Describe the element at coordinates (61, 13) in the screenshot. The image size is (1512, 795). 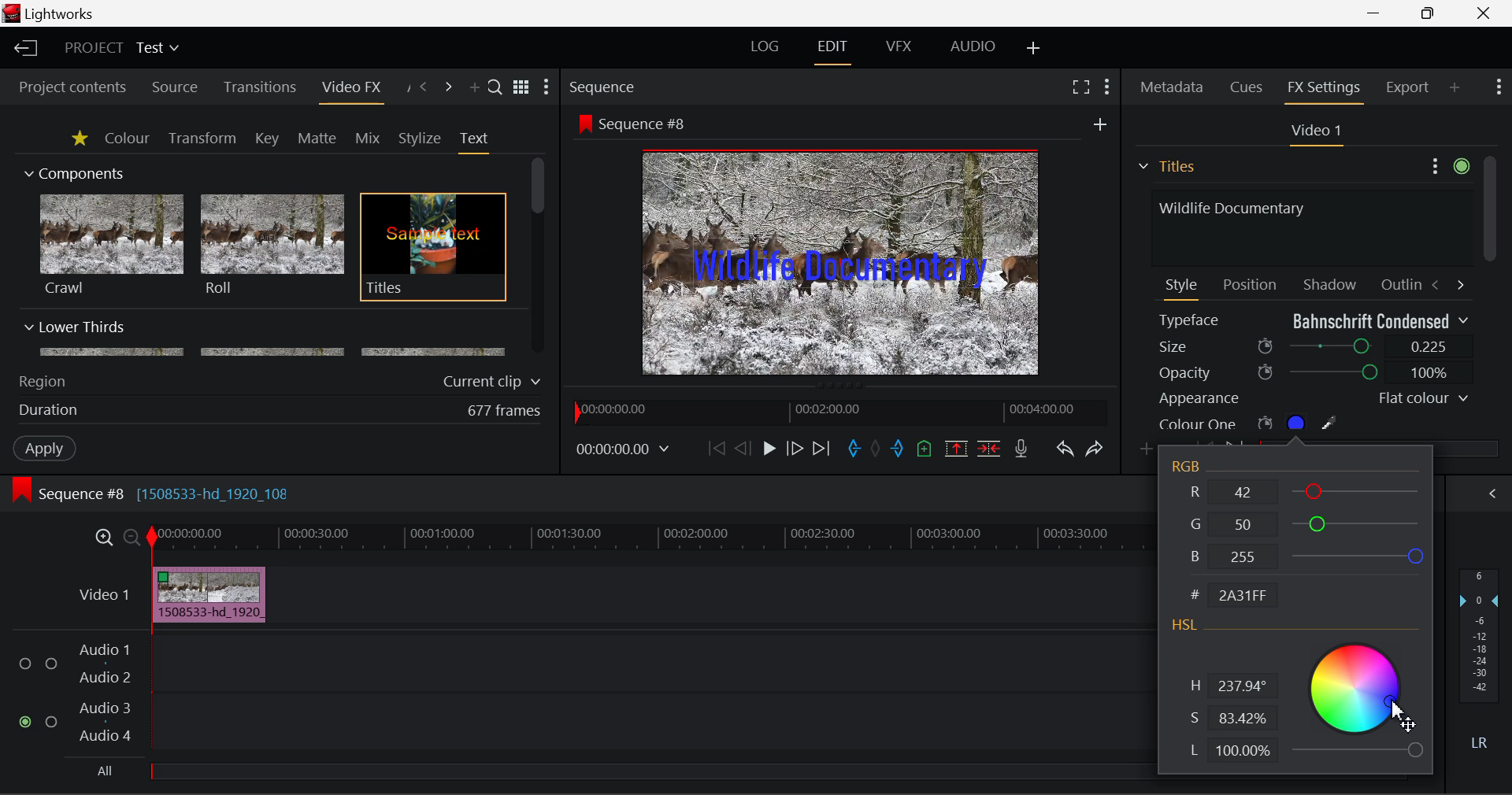
I see `Lightworks` at that location.